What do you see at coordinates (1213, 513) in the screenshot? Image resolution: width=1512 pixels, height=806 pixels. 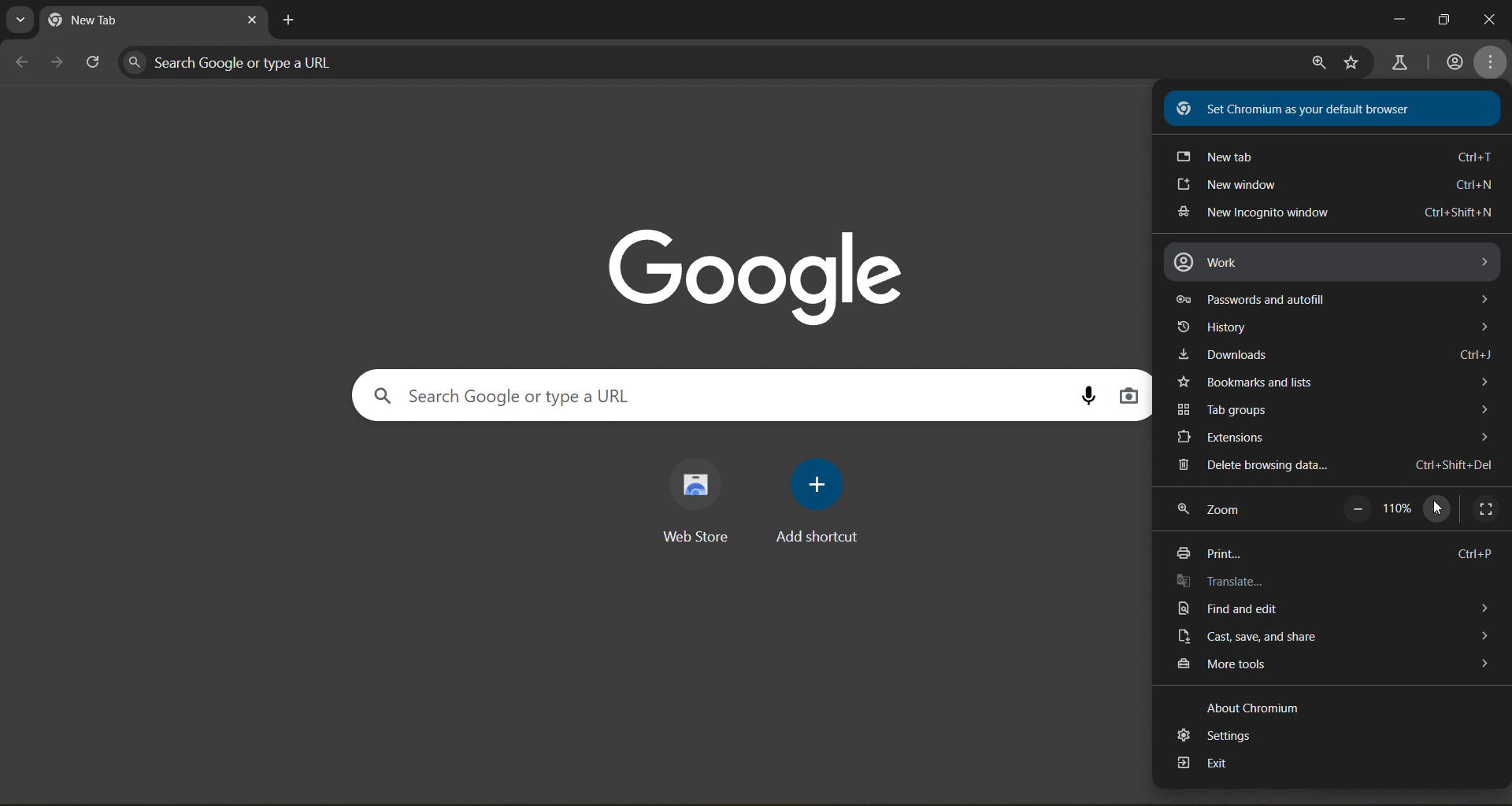 I see `zoom ` at bounding box center [1213, 513].